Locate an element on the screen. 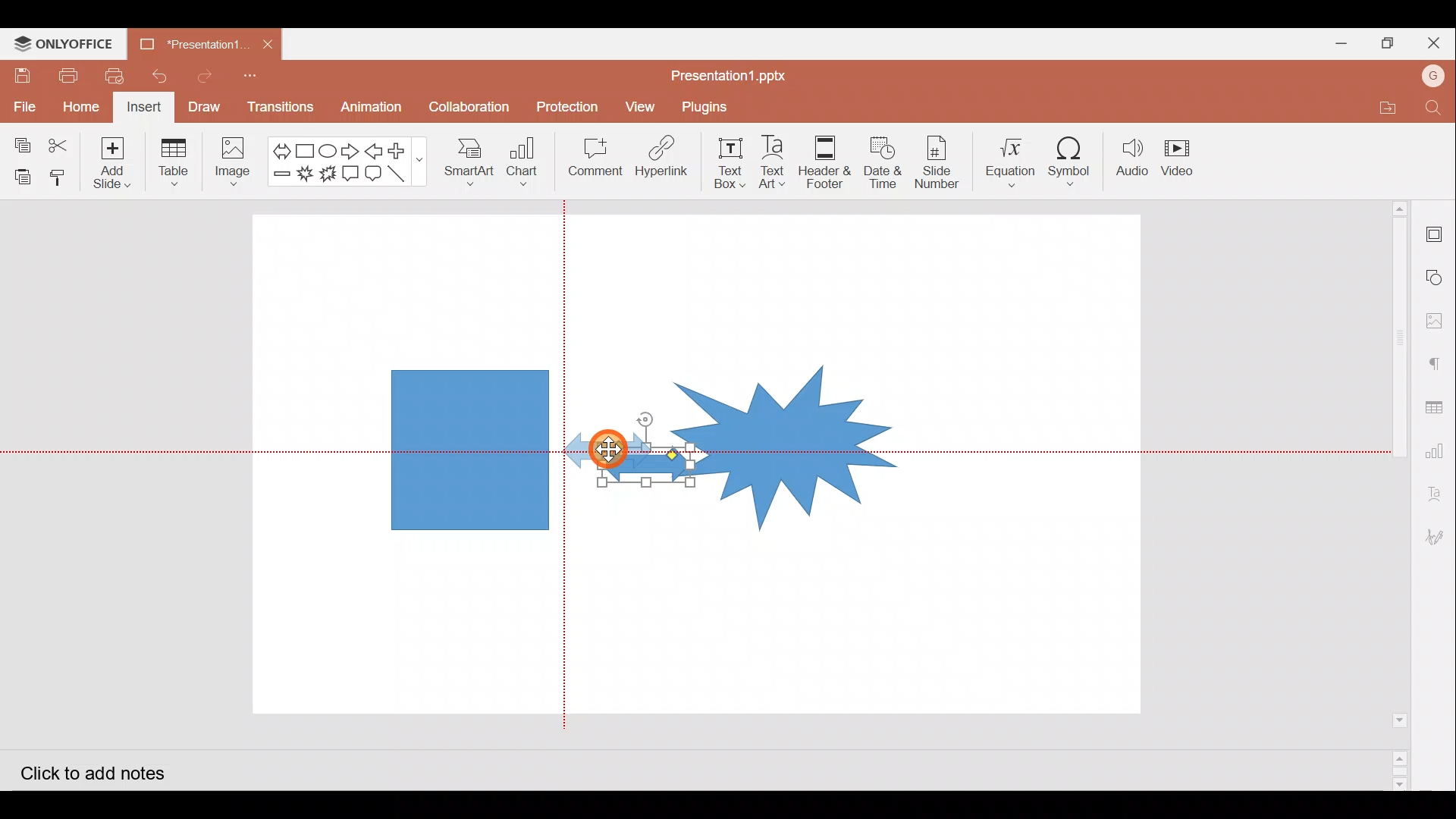 Image resolution: width=1456 pixels, height=819 pixels. Paste is located at coordinates (21, 173).